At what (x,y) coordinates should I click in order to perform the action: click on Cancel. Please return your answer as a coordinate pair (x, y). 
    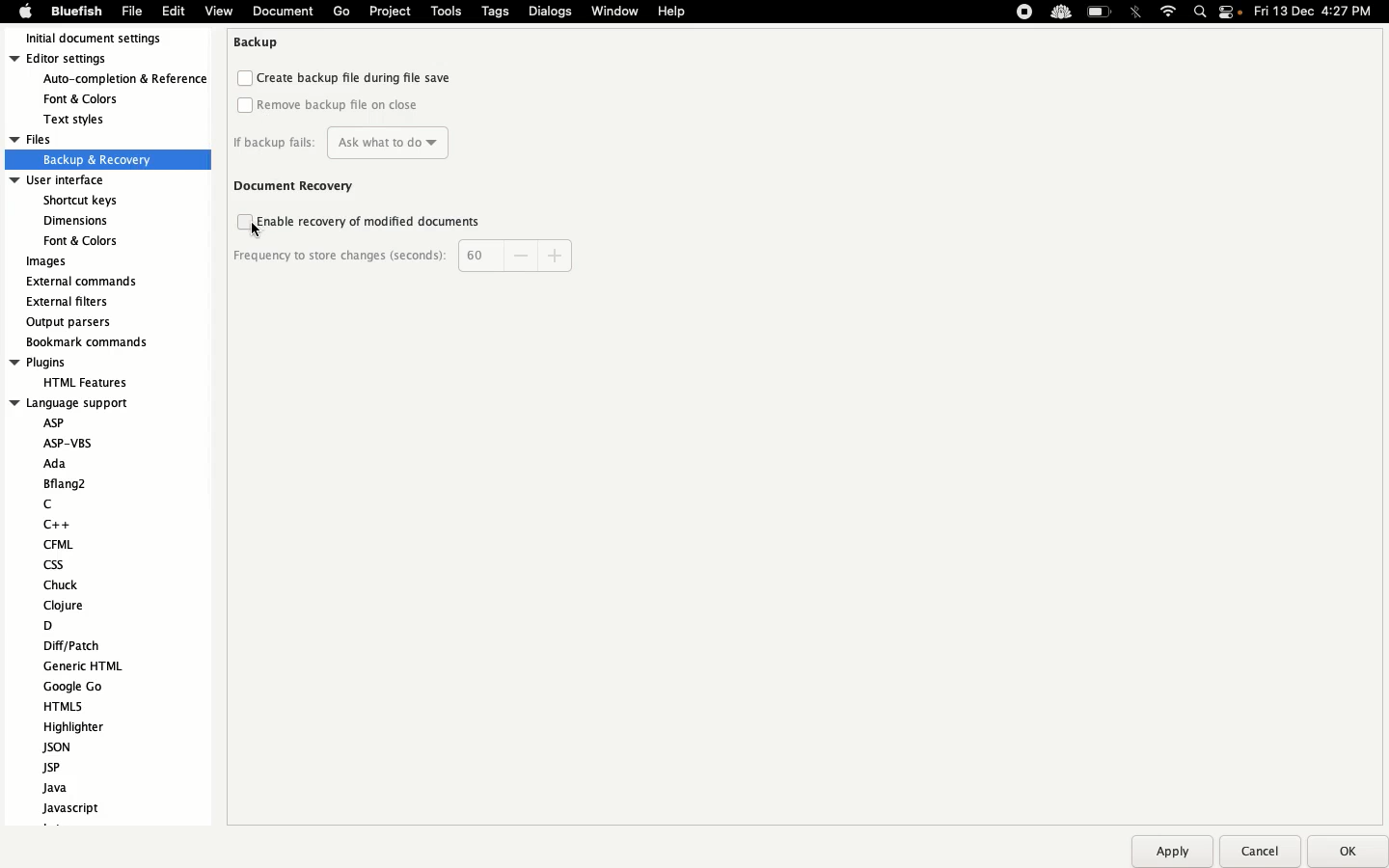
    Looking at the image, I should click on (1263, 849).